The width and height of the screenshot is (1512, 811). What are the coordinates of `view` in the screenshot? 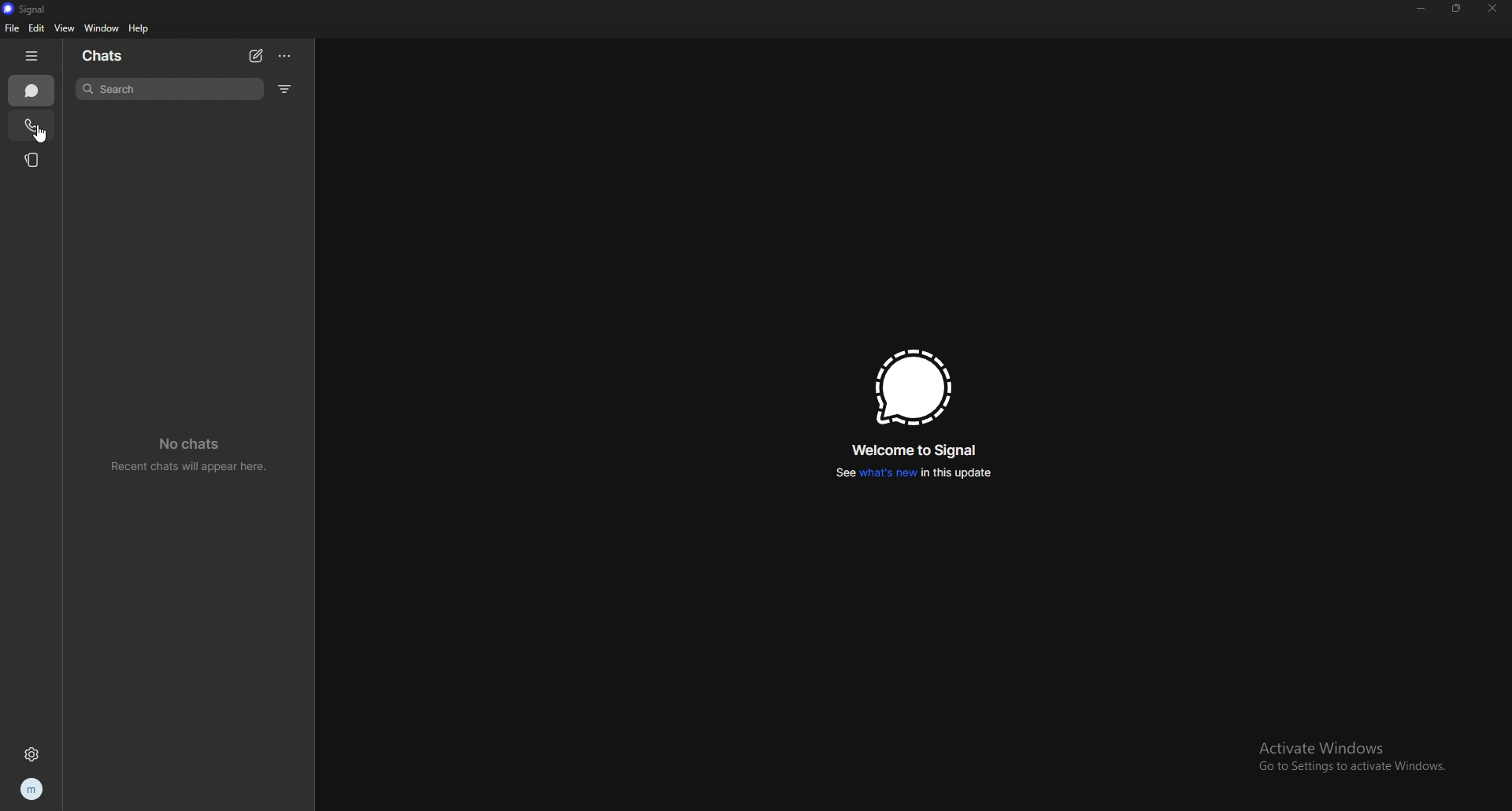 It's located at (64, 28).